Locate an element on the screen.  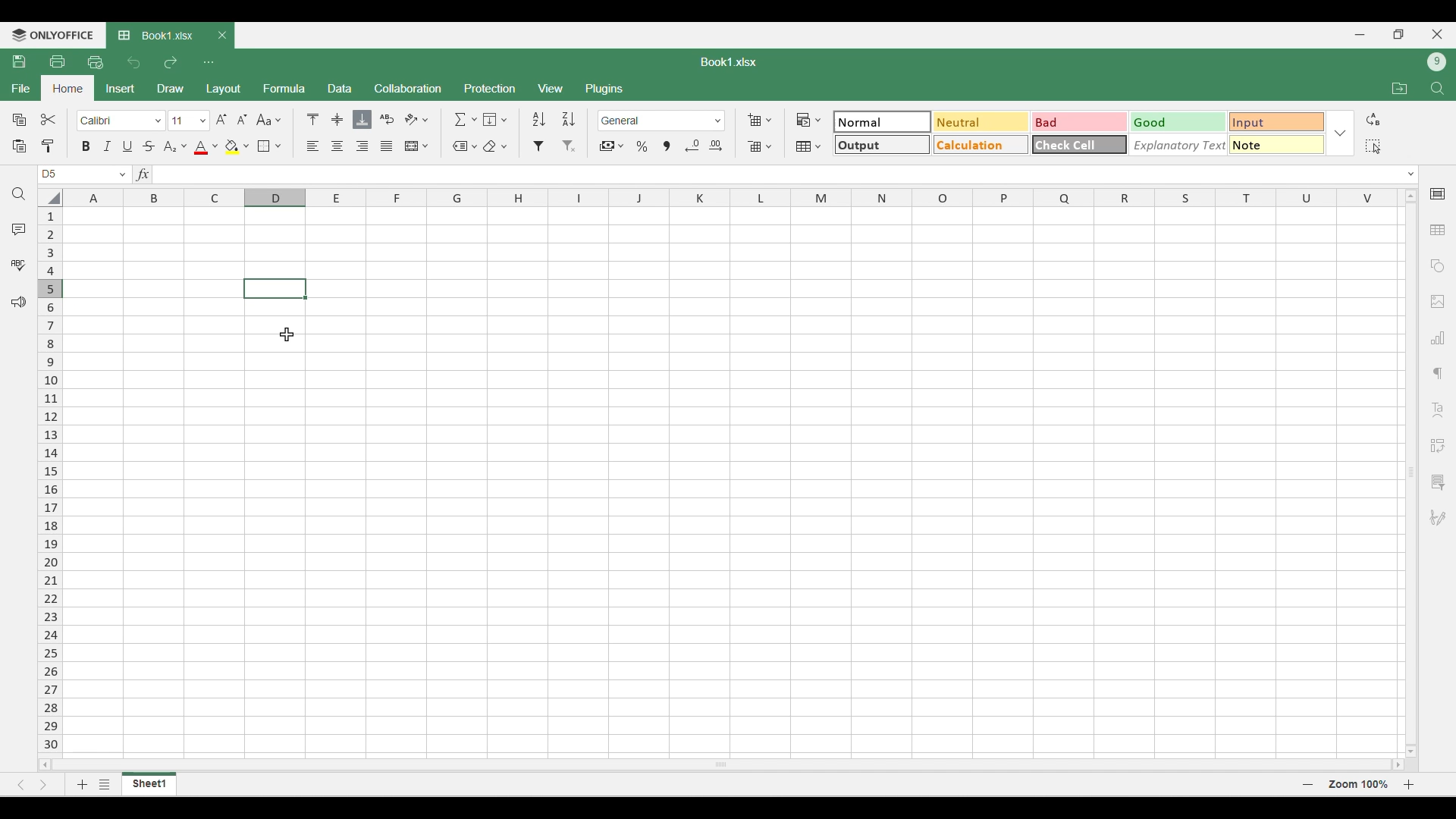
Spell check is located at coordinates (18, 265).